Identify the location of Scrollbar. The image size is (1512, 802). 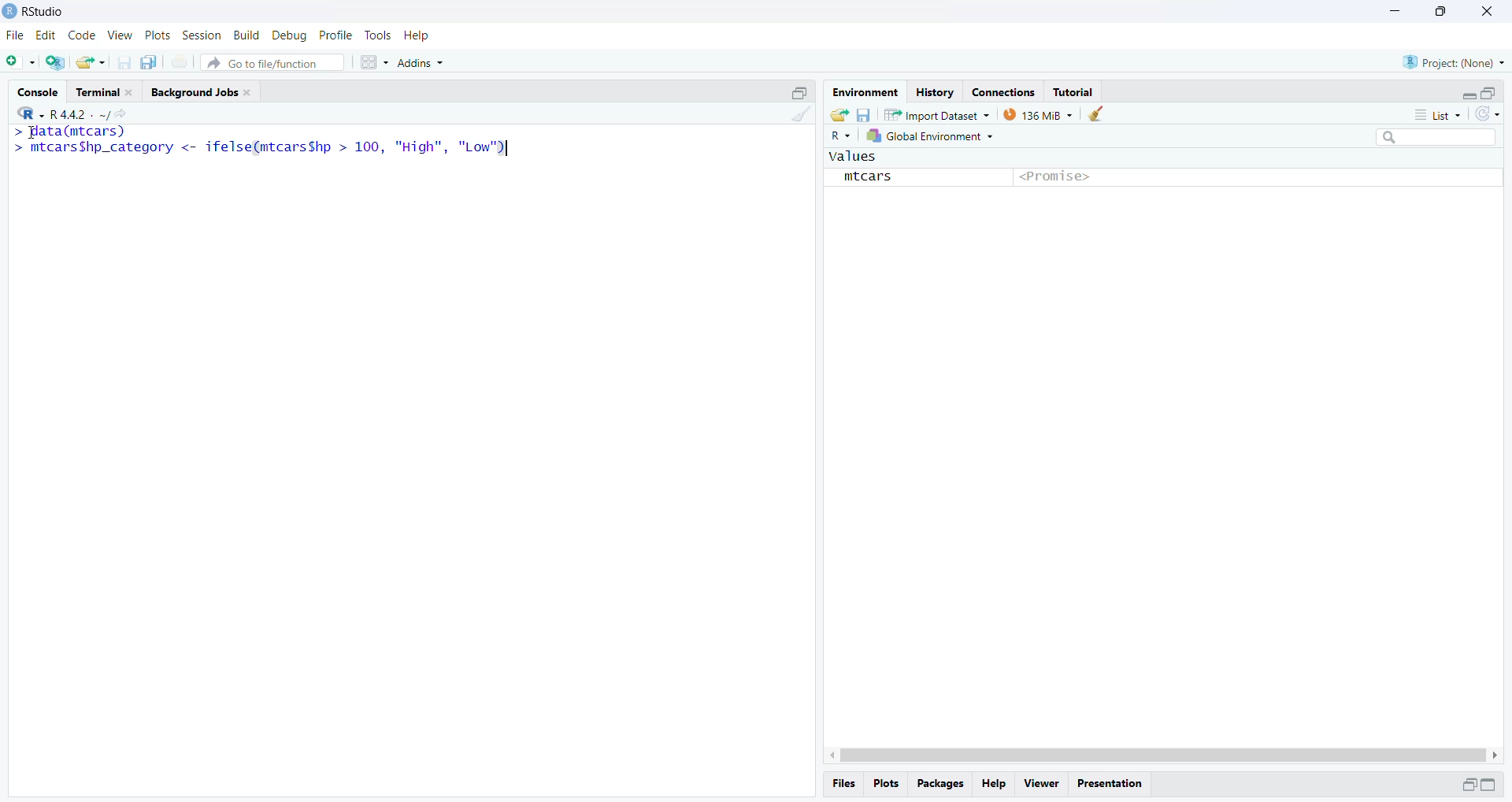
(1160, 753).